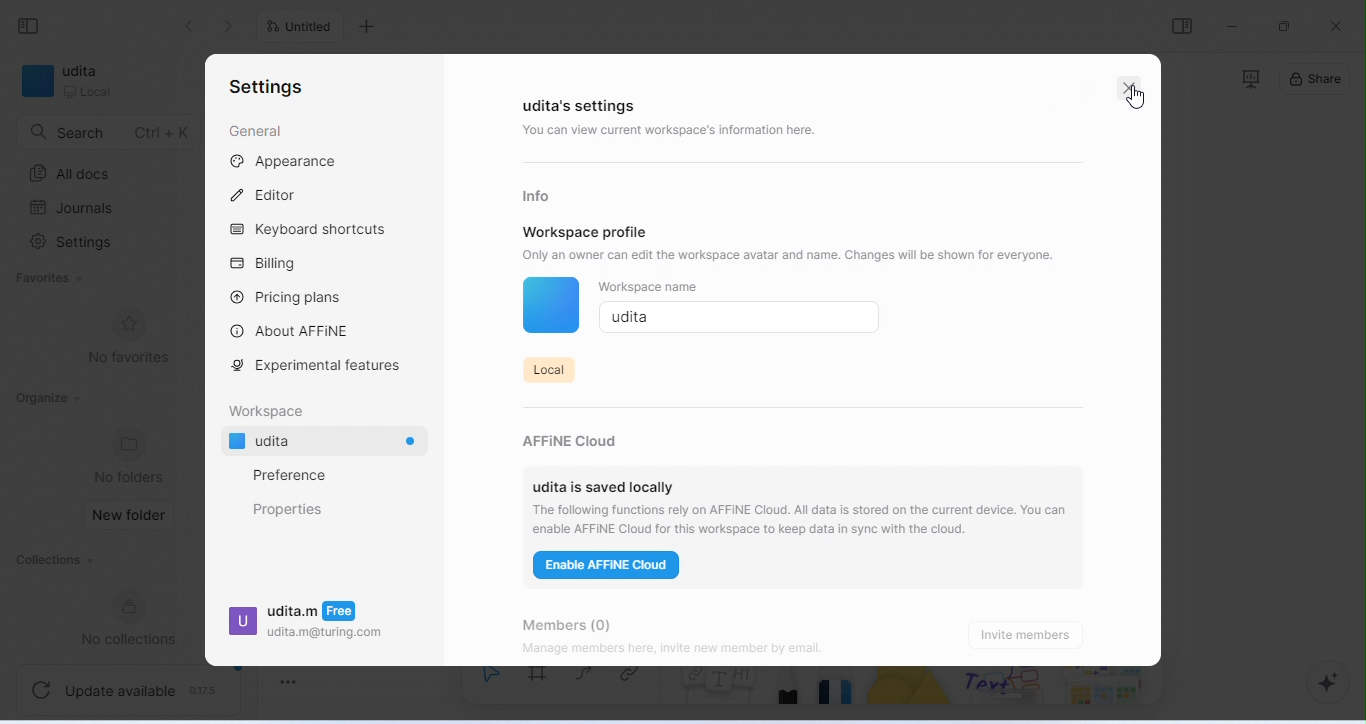 The image size is (1366, 724). I want to click on arrows and more, so click(1103, 688).